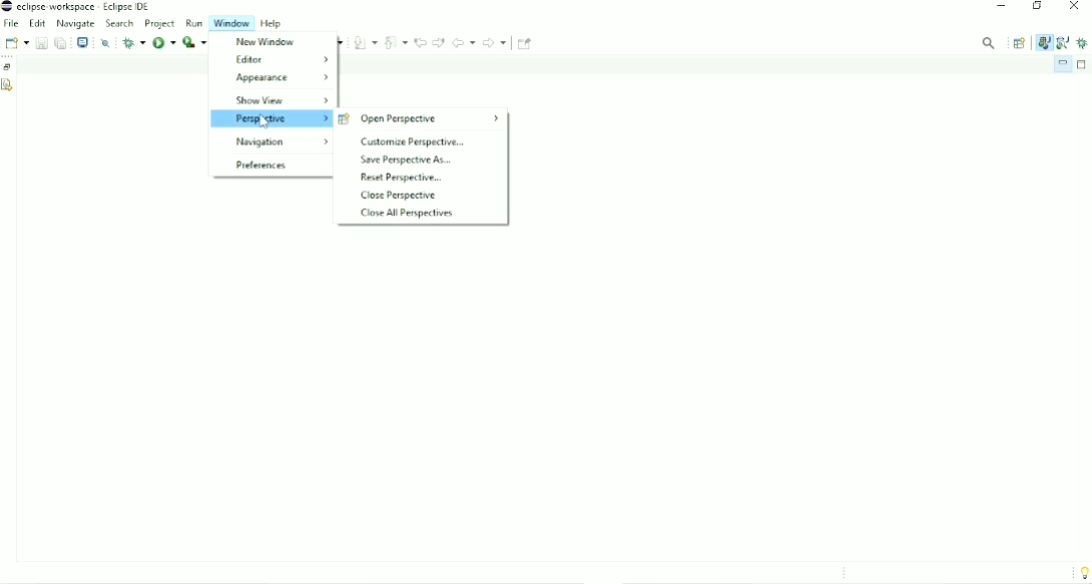 The height and width of the screenshot is (584, 1092). Describe the element at coordinates (194, 42) in the screenshot. I see `Run` at that location.